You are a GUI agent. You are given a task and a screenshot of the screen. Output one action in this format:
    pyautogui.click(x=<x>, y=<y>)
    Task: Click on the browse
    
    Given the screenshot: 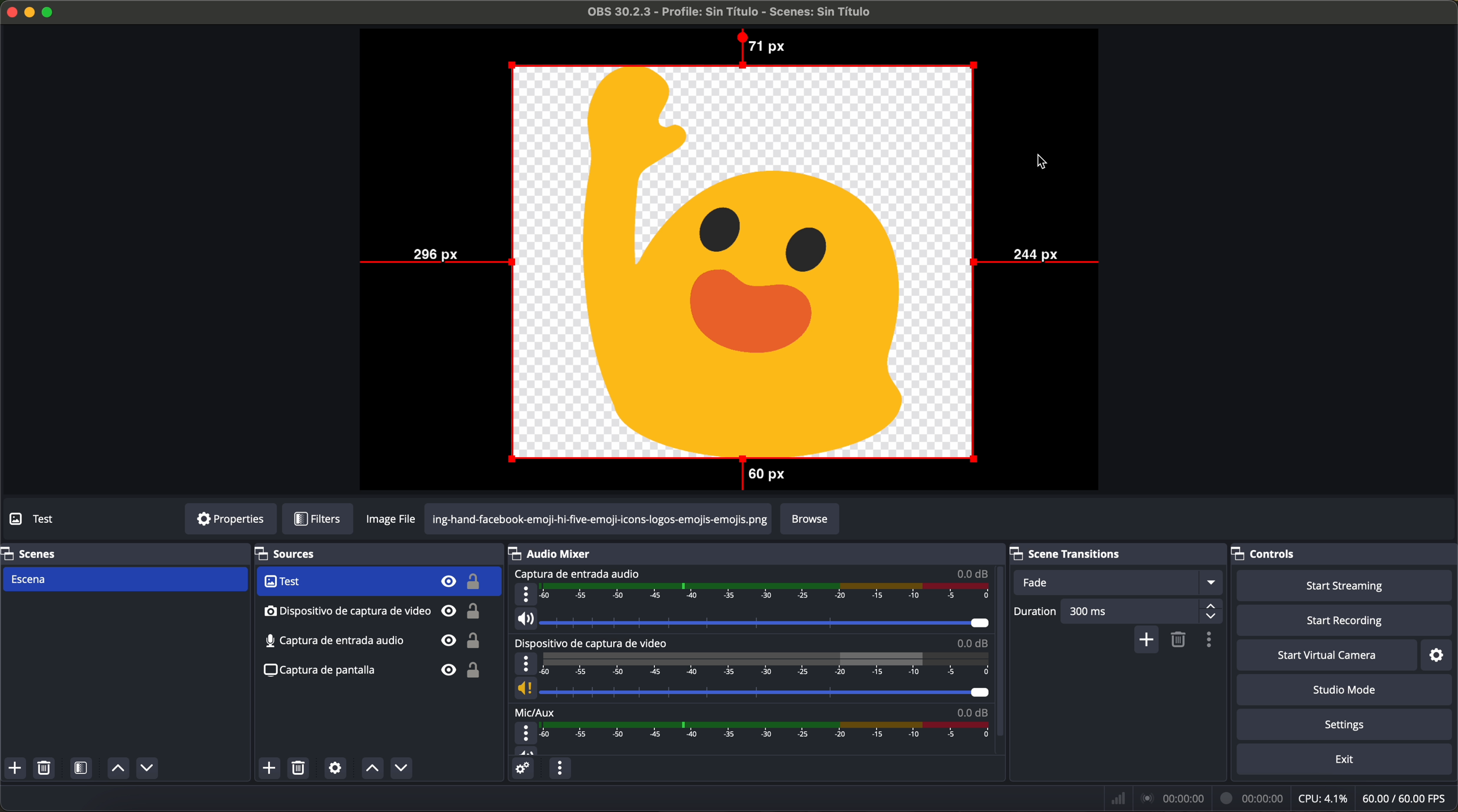 What is the action you would take?
    pyautogui.click(x=810, y=519)
    